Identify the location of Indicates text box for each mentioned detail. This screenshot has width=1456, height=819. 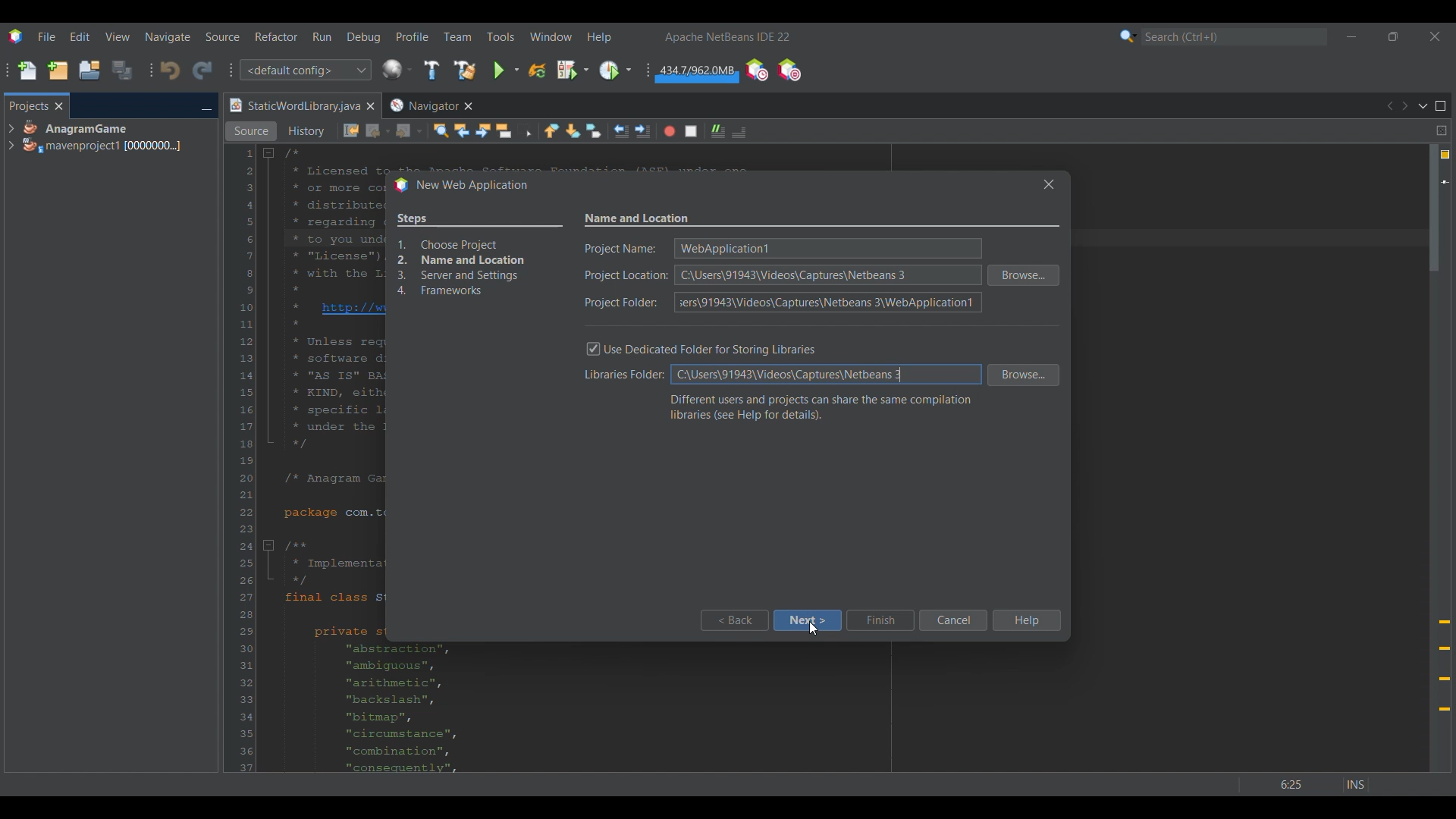
(626, 276).